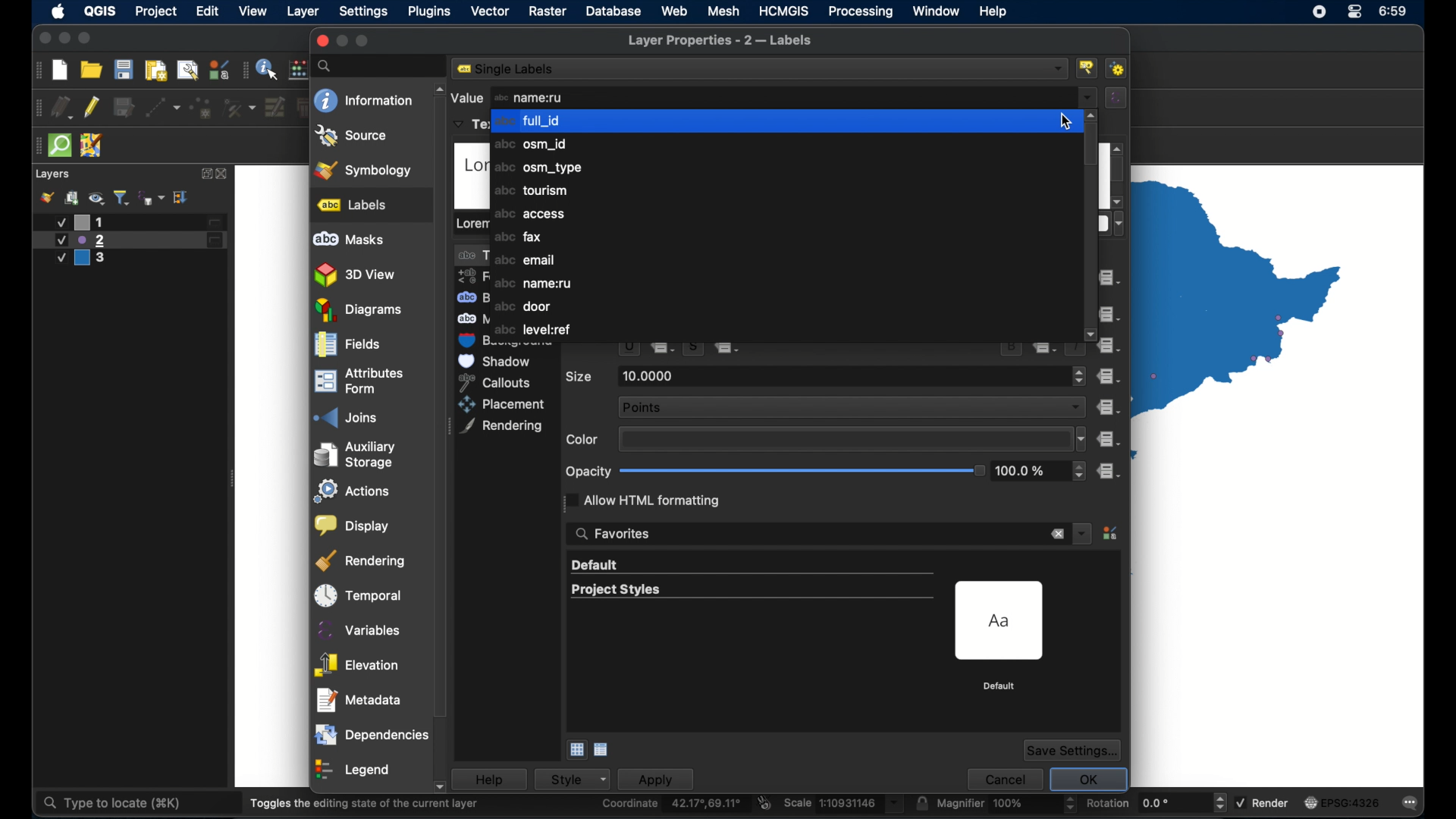  Describe the element at coordinates (124, 107) in the screenshot. I see `save edits` at that location.